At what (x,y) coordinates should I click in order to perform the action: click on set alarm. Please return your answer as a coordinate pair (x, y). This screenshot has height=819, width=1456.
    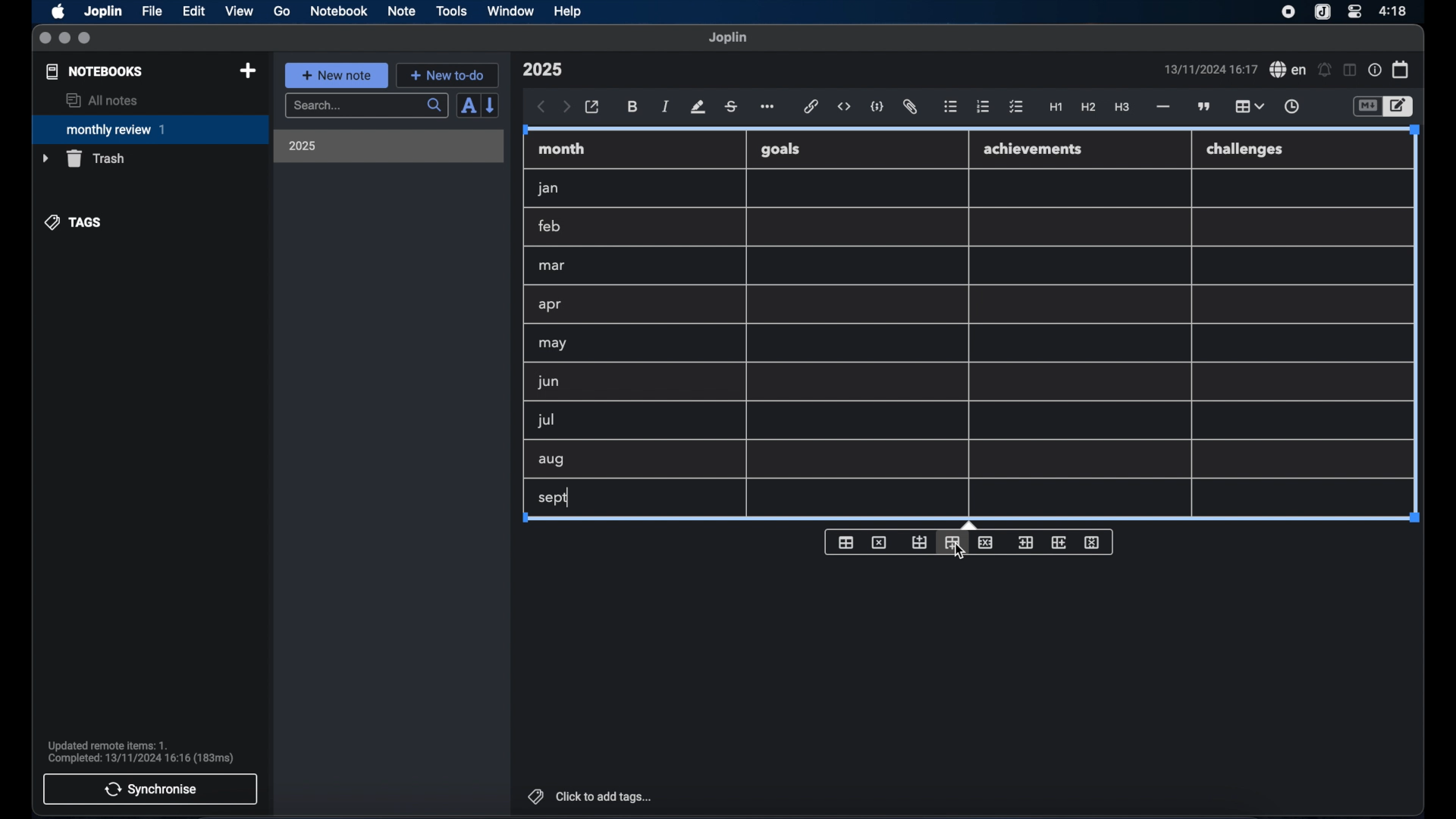
    Looking at the image, I should click on (1325, 71).